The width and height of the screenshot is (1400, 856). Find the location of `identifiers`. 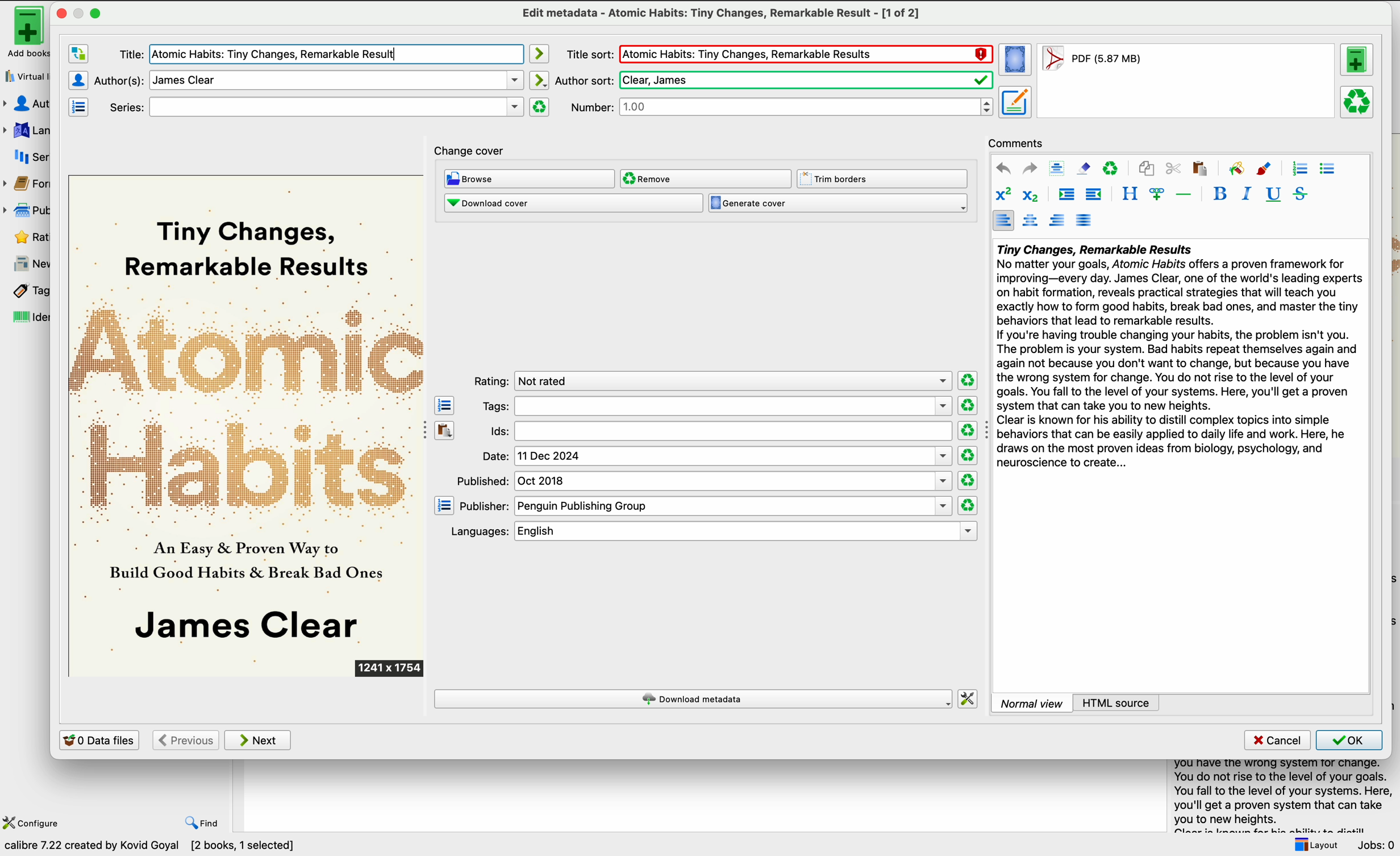

identifiers is located at coordinates (24, 318).